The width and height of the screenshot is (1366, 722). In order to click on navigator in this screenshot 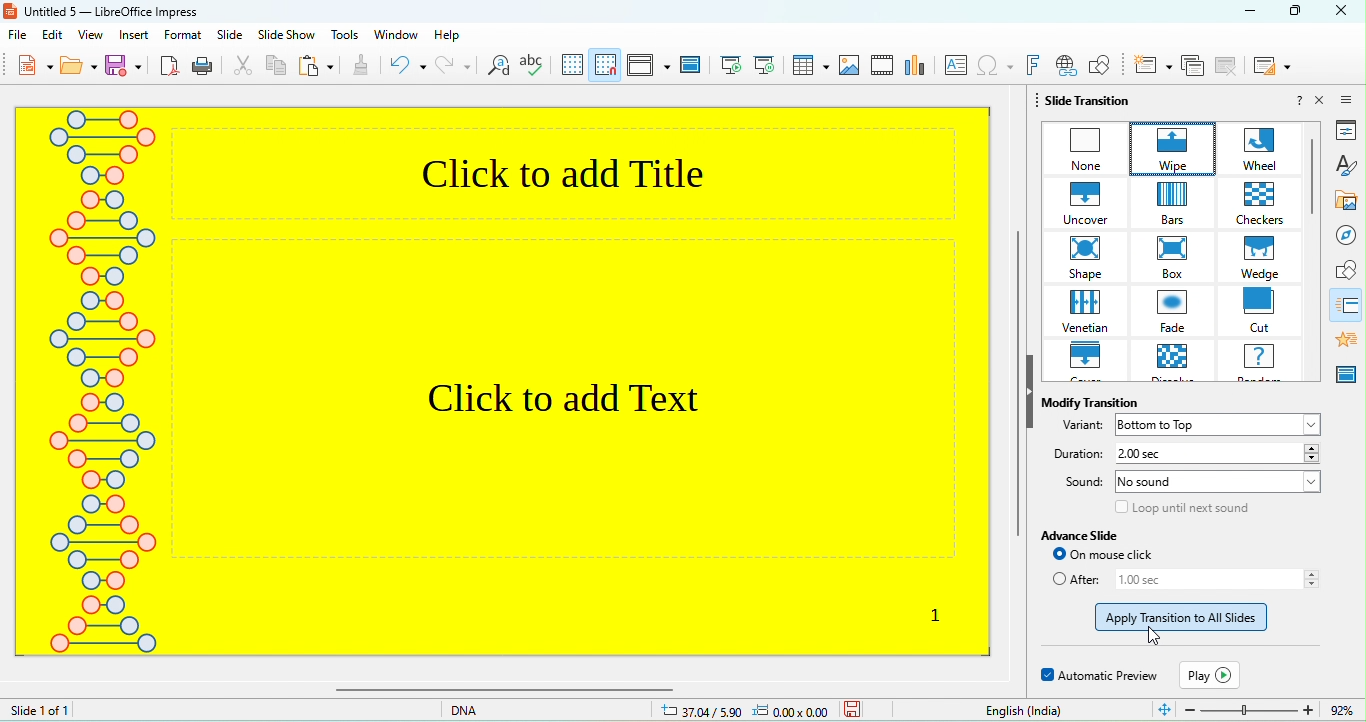, I will do `click(1343, 234)`.